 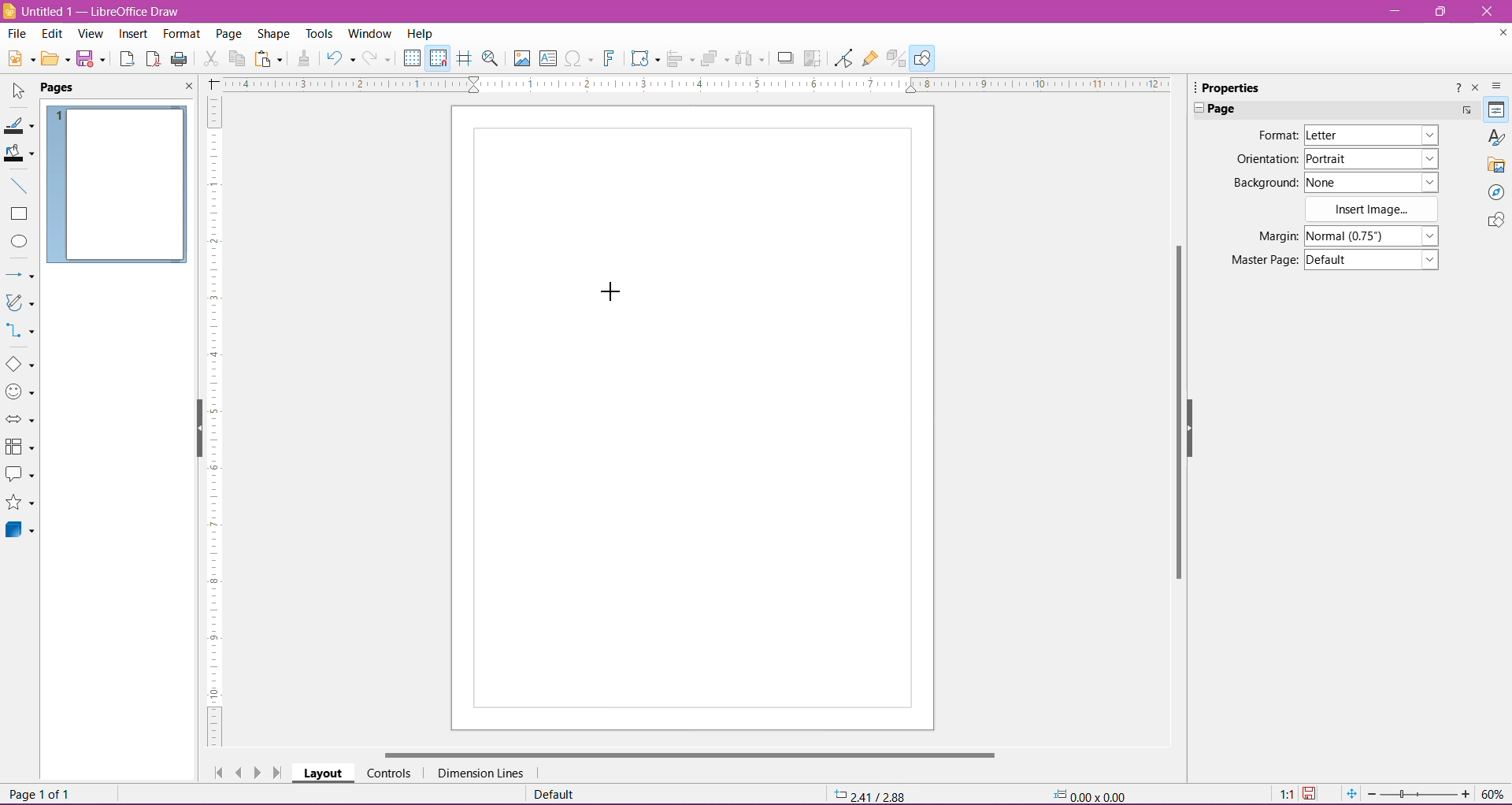 What do you see at coordinates (369, 34) in the screenshot?
I see `Window` at bounding box center [369, 34].